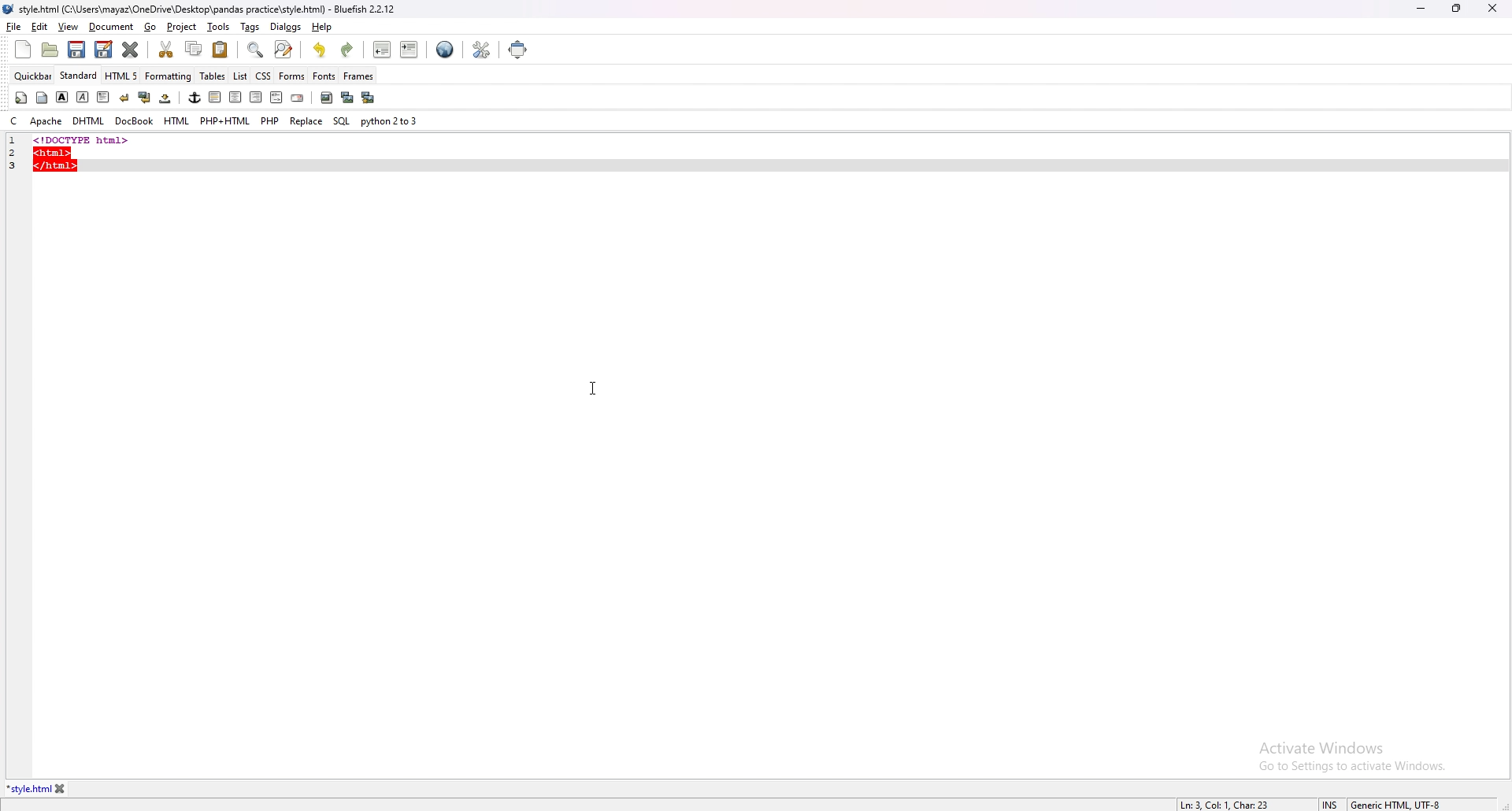 The width and height of the screenshot is (1512, 811). Describe the element at coordinates (57, 159) in the screenshot. I see `code` at that location.